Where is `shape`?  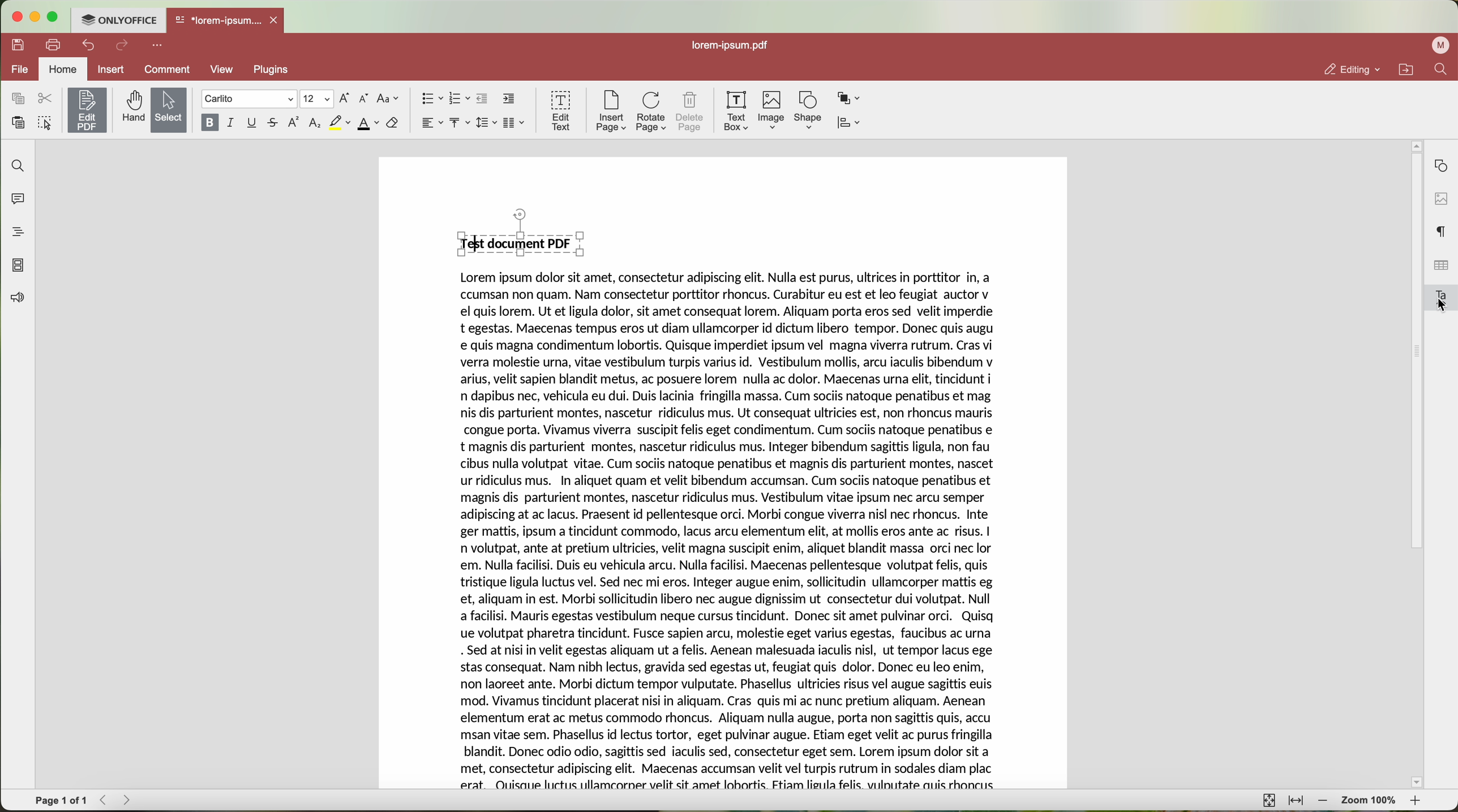
shape is located at coordinates (807, 111).